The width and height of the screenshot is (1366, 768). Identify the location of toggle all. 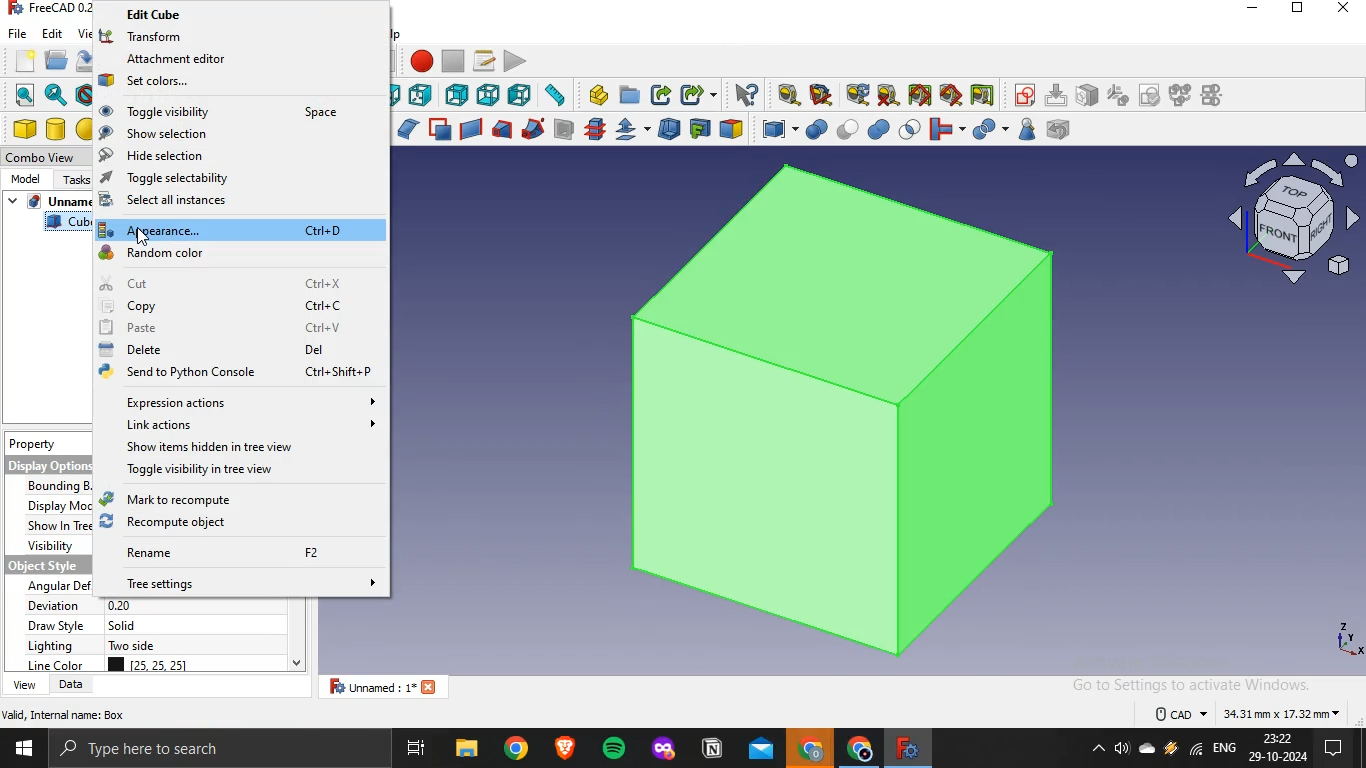
(919, 95).